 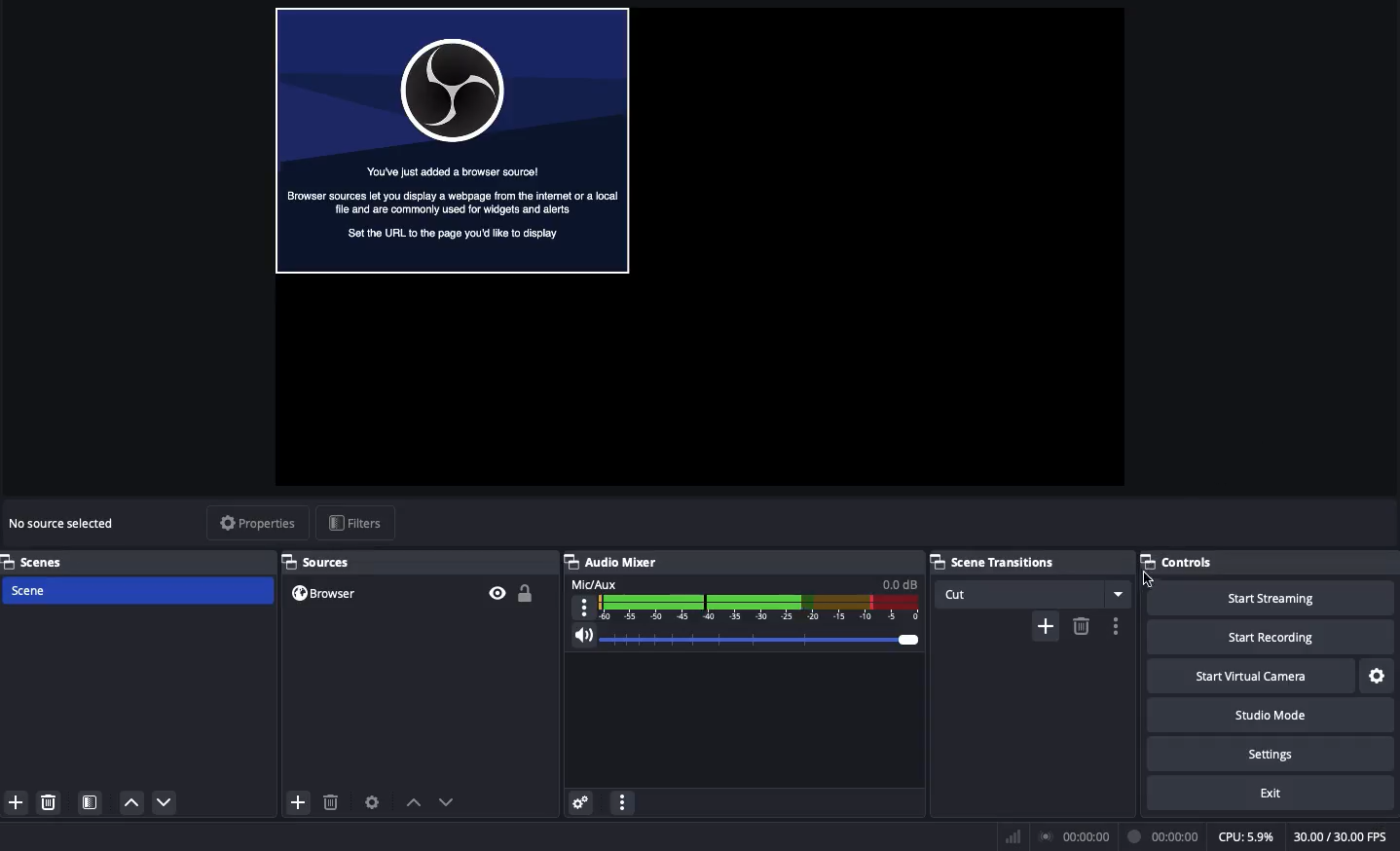 I want to click on Visible , so click(x=497, y=593).